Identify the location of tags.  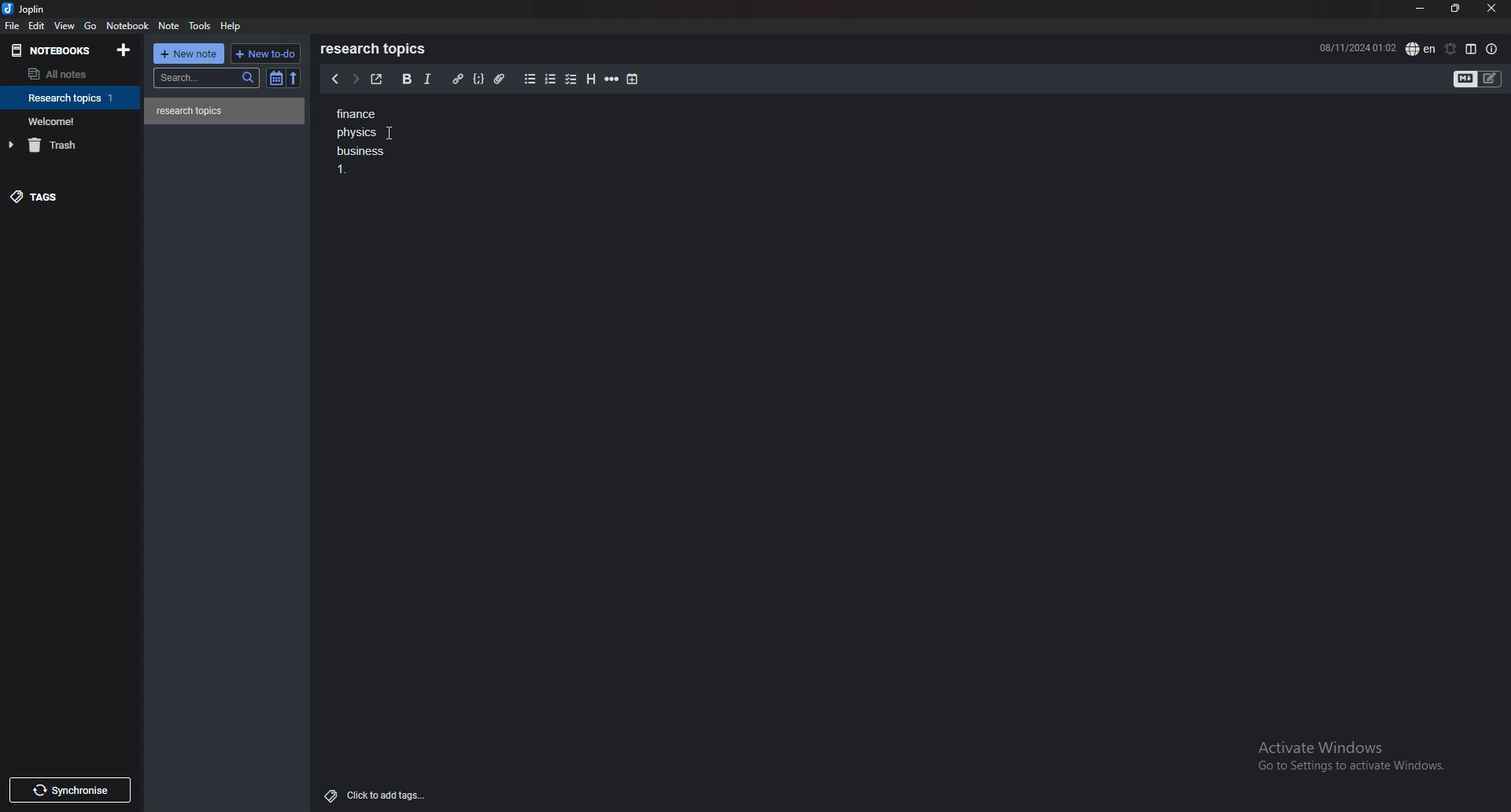
(67, 200).